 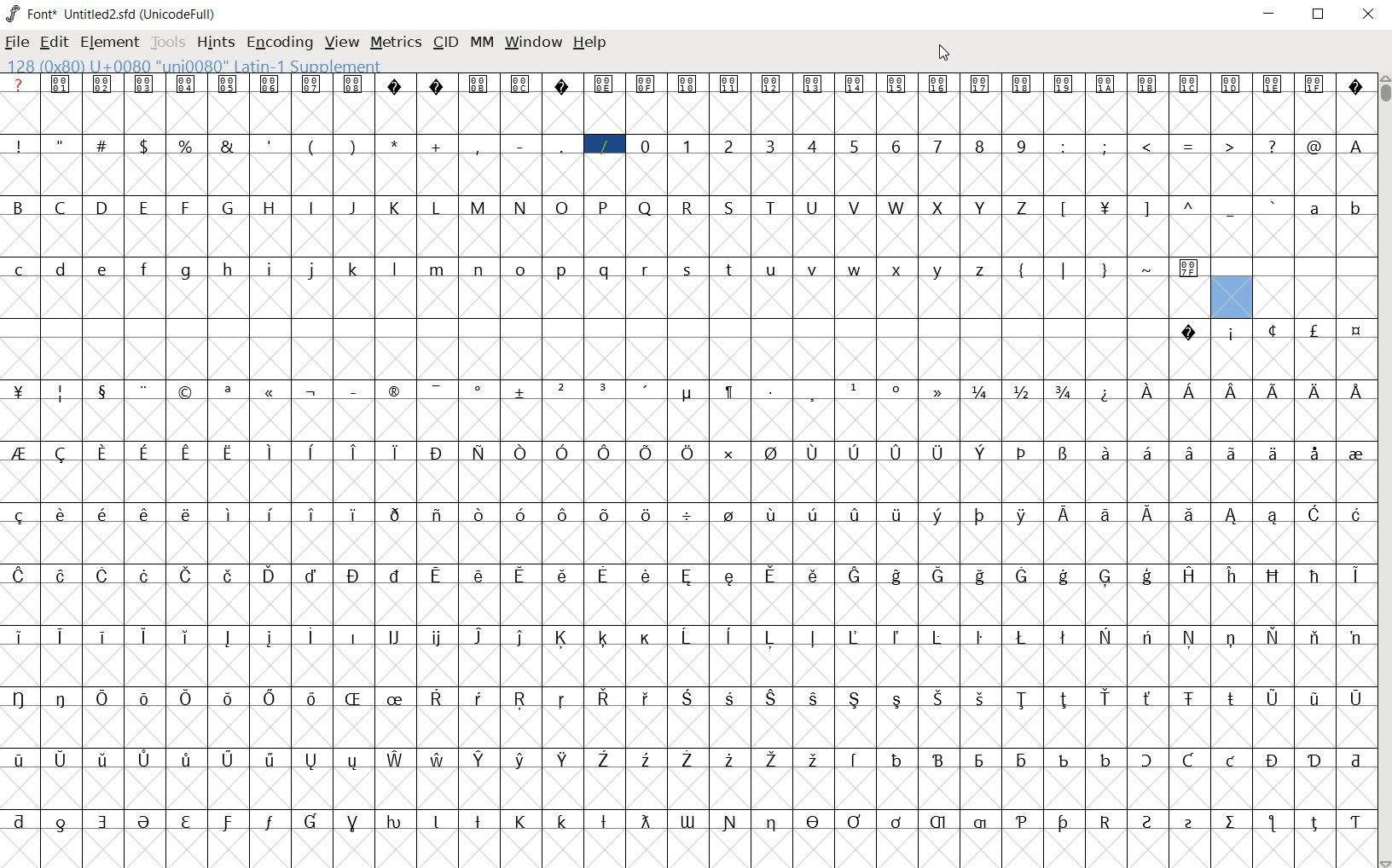 What do you see at coordinates (770, 391) in the screenshot?
I see `glyph` at bounding box center [770, 391].